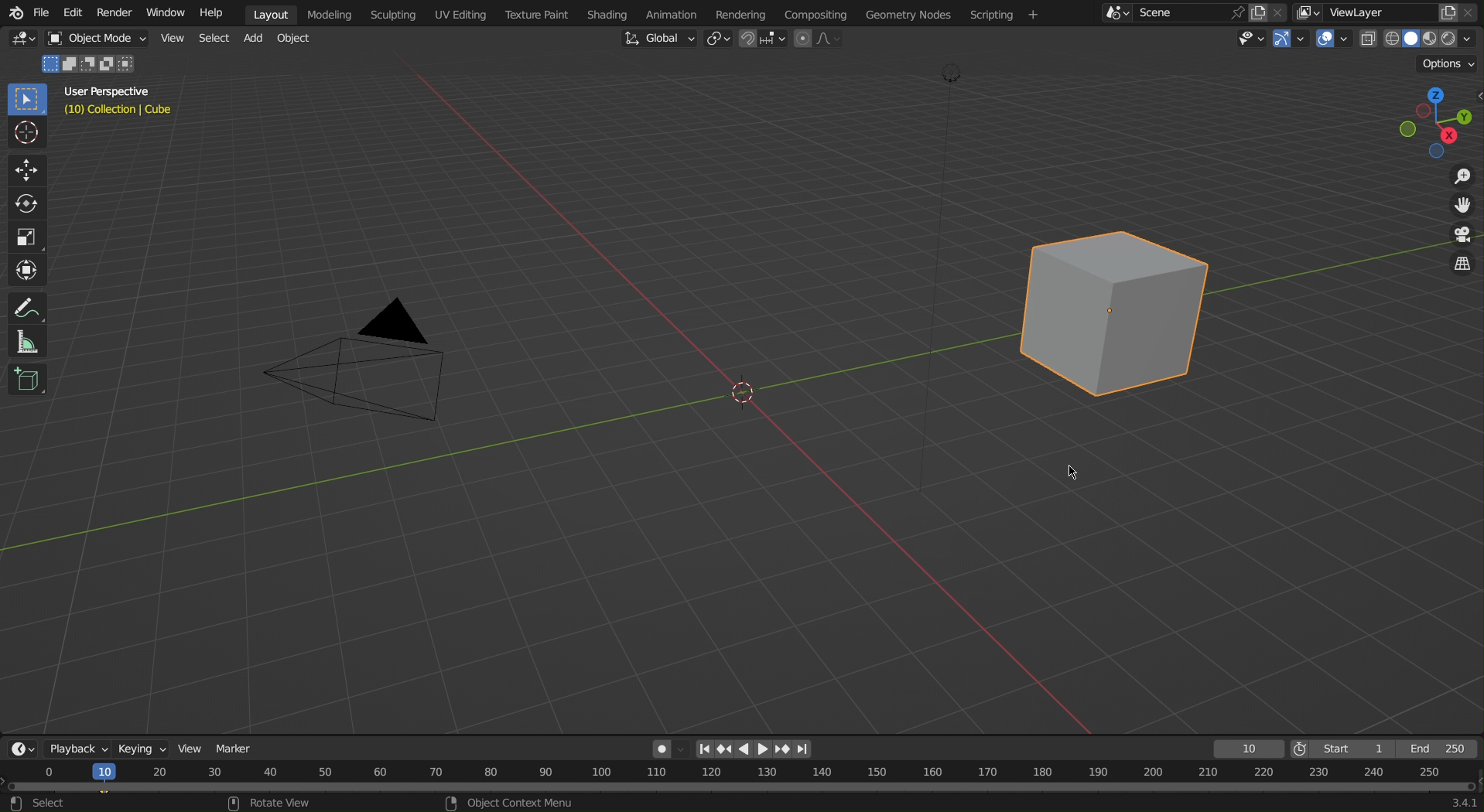 The height and width of the screenshot is (812, 1484). I want to click on Select Box, so click(26, 100).